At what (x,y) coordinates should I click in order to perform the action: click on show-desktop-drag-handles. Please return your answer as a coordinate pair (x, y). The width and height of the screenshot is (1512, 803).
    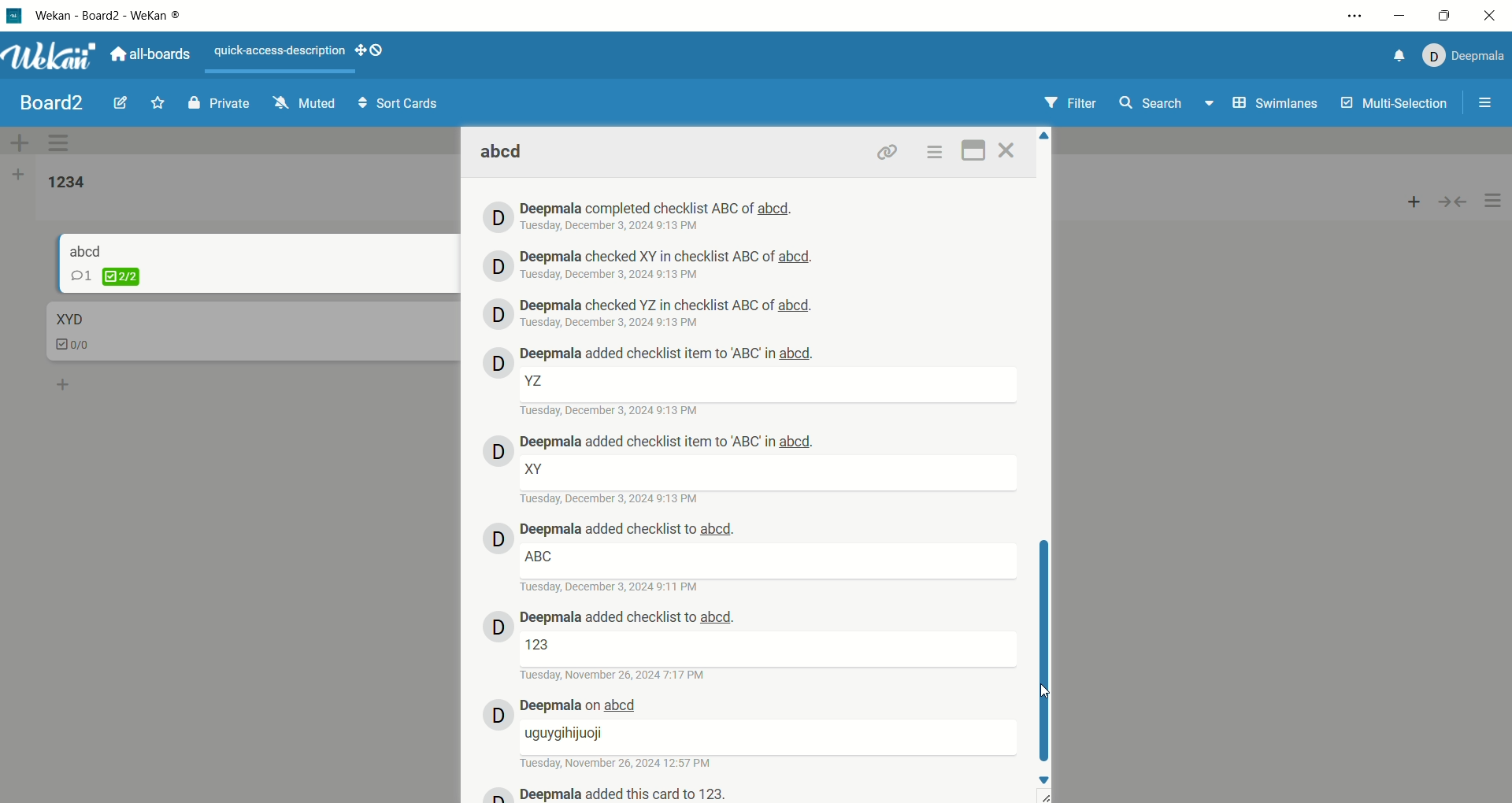
    Looking at the image, I should click on (372, 50).